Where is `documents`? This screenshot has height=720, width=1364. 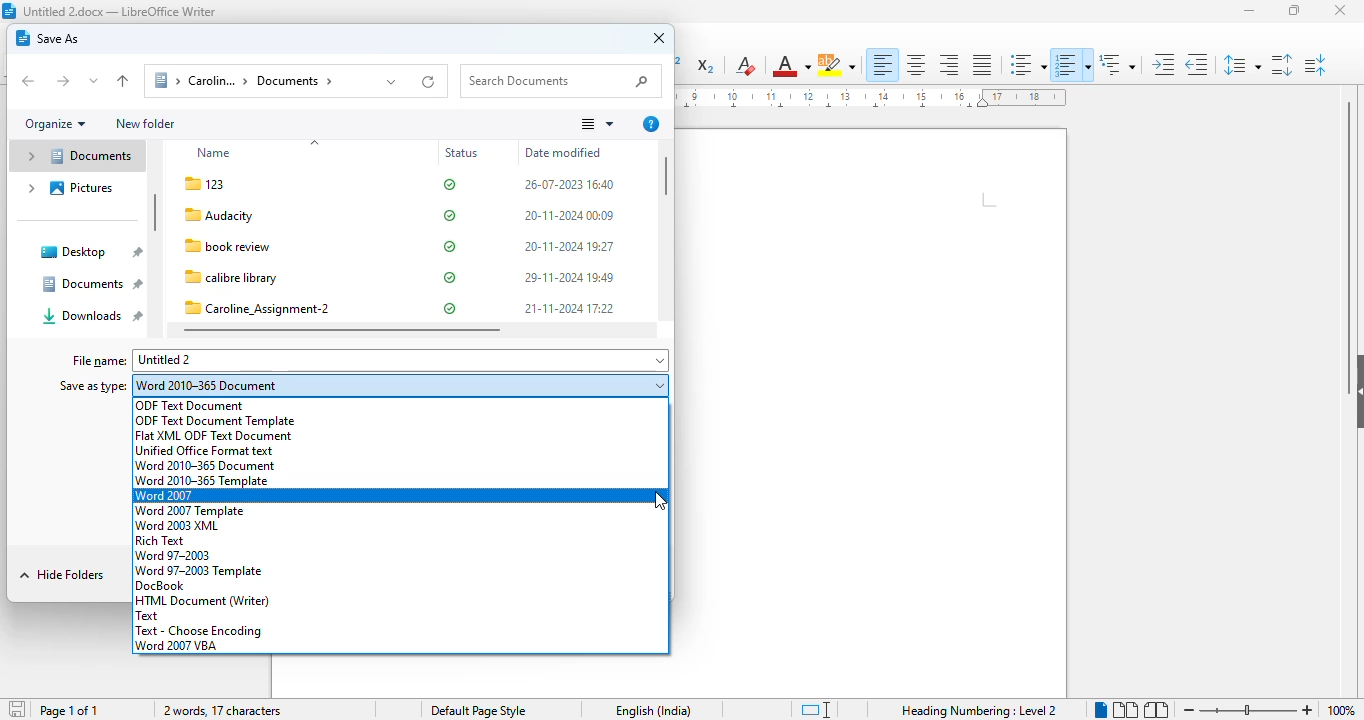 documents is located at coordinates (75, 156).